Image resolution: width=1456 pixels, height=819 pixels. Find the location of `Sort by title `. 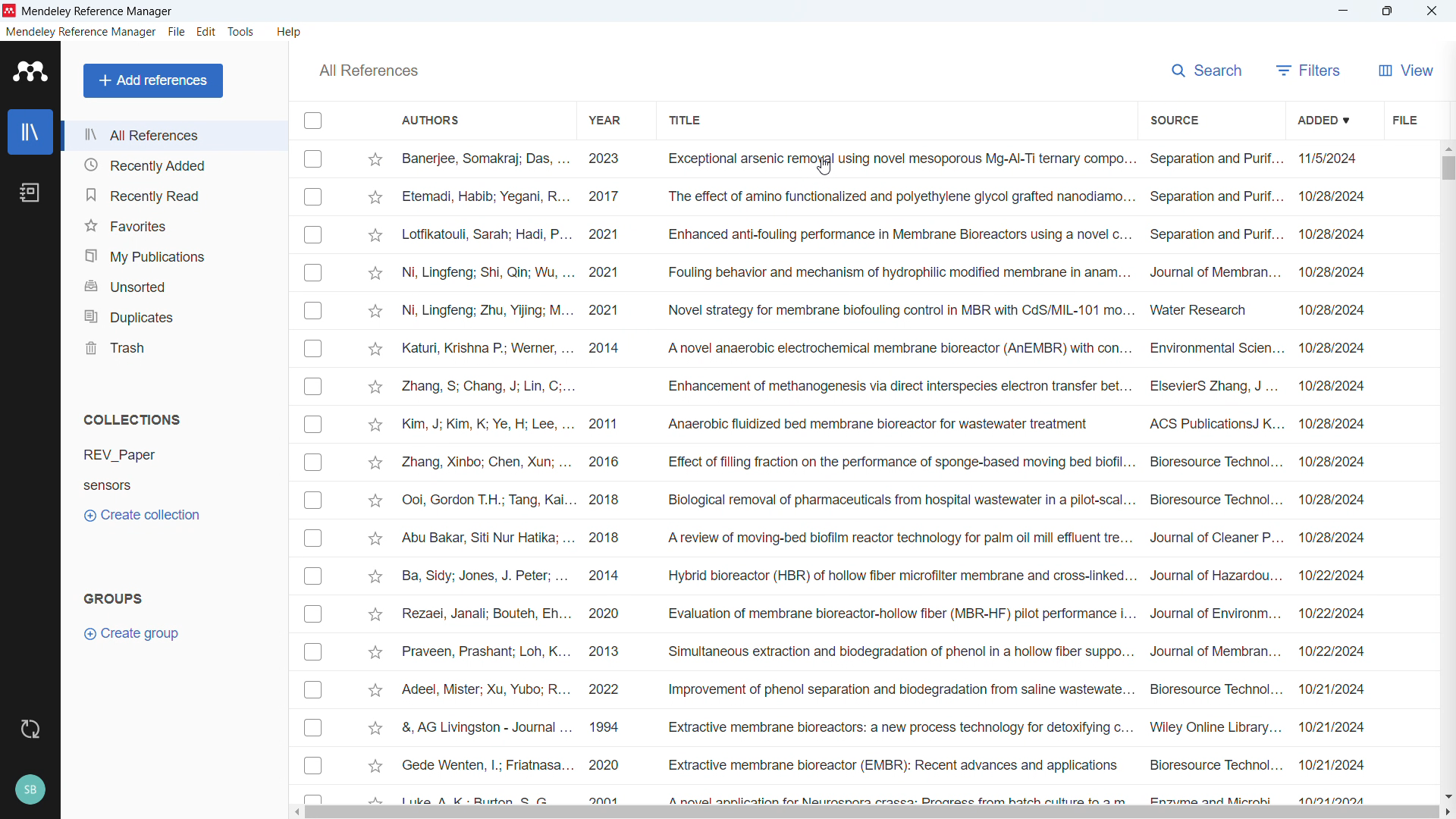

Sort by title  is located at coordinates (687, 120).